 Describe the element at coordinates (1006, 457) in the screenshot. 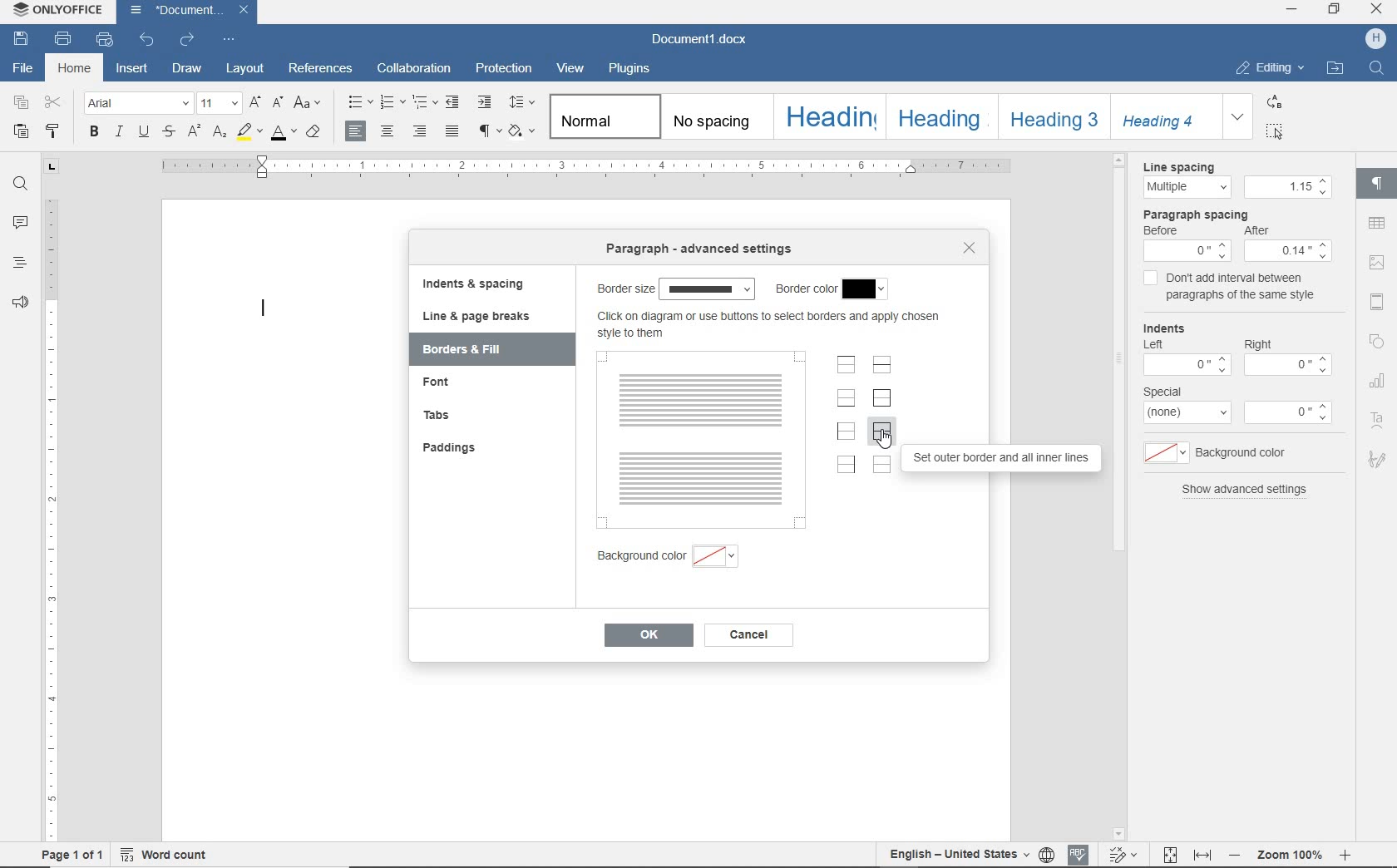

I see `set outer border and all inner lines` at that location.